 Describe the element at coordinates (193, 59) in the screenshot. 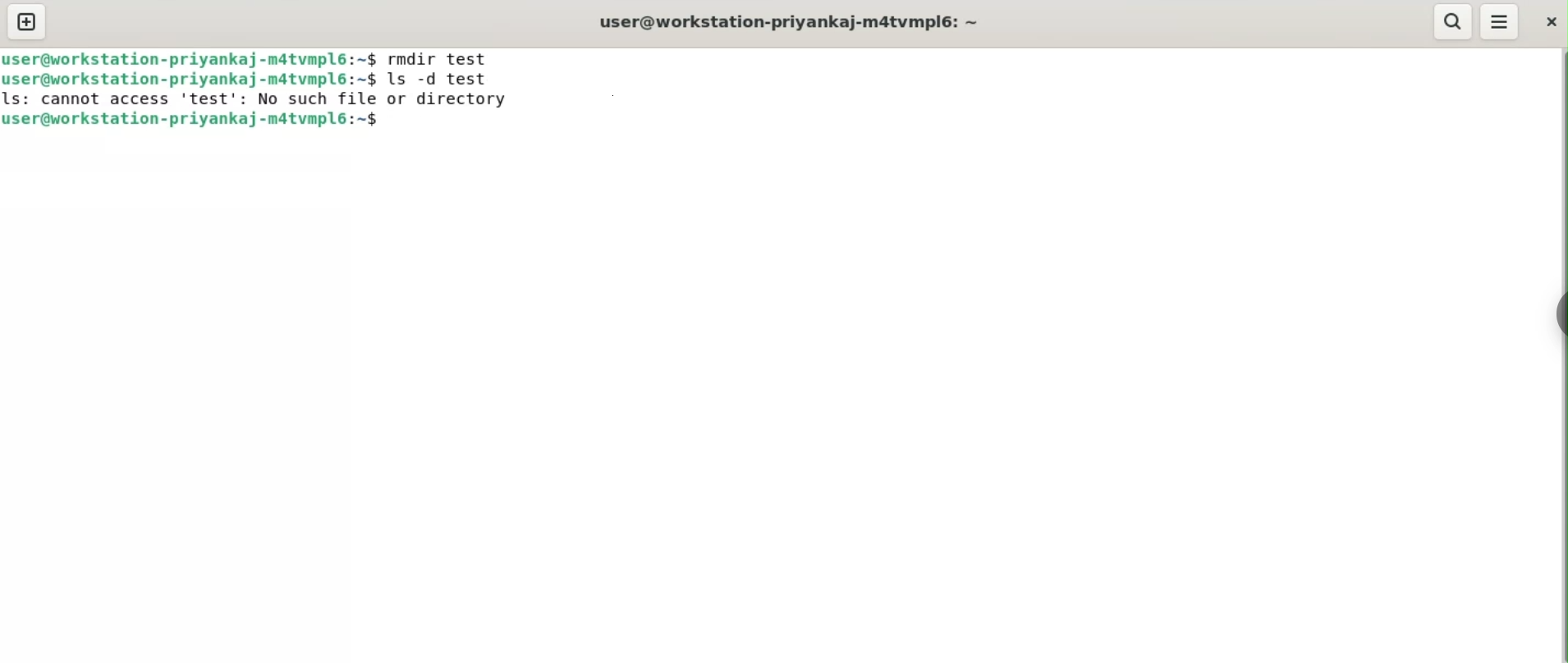

I see `user@workstation-priyankaj-m4tvmpl6: ~$` at that location.